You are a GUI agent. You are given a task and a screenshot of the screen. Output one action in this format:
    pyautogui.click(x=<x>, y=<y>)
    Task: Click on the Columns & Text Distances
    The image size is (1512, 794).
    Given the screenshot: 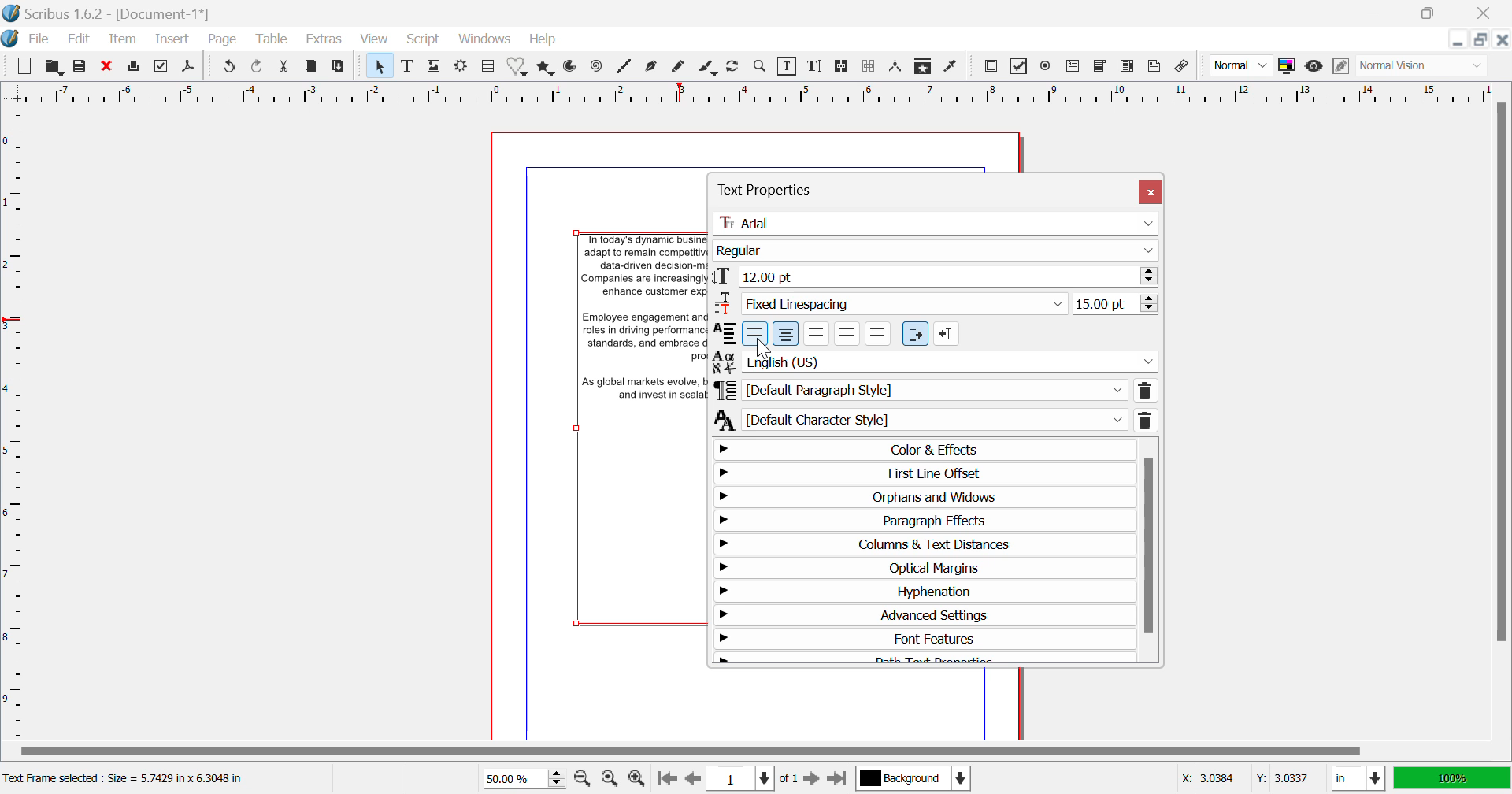 What is the action you would take?
    pyautogui.click(x=922, y=546)
    